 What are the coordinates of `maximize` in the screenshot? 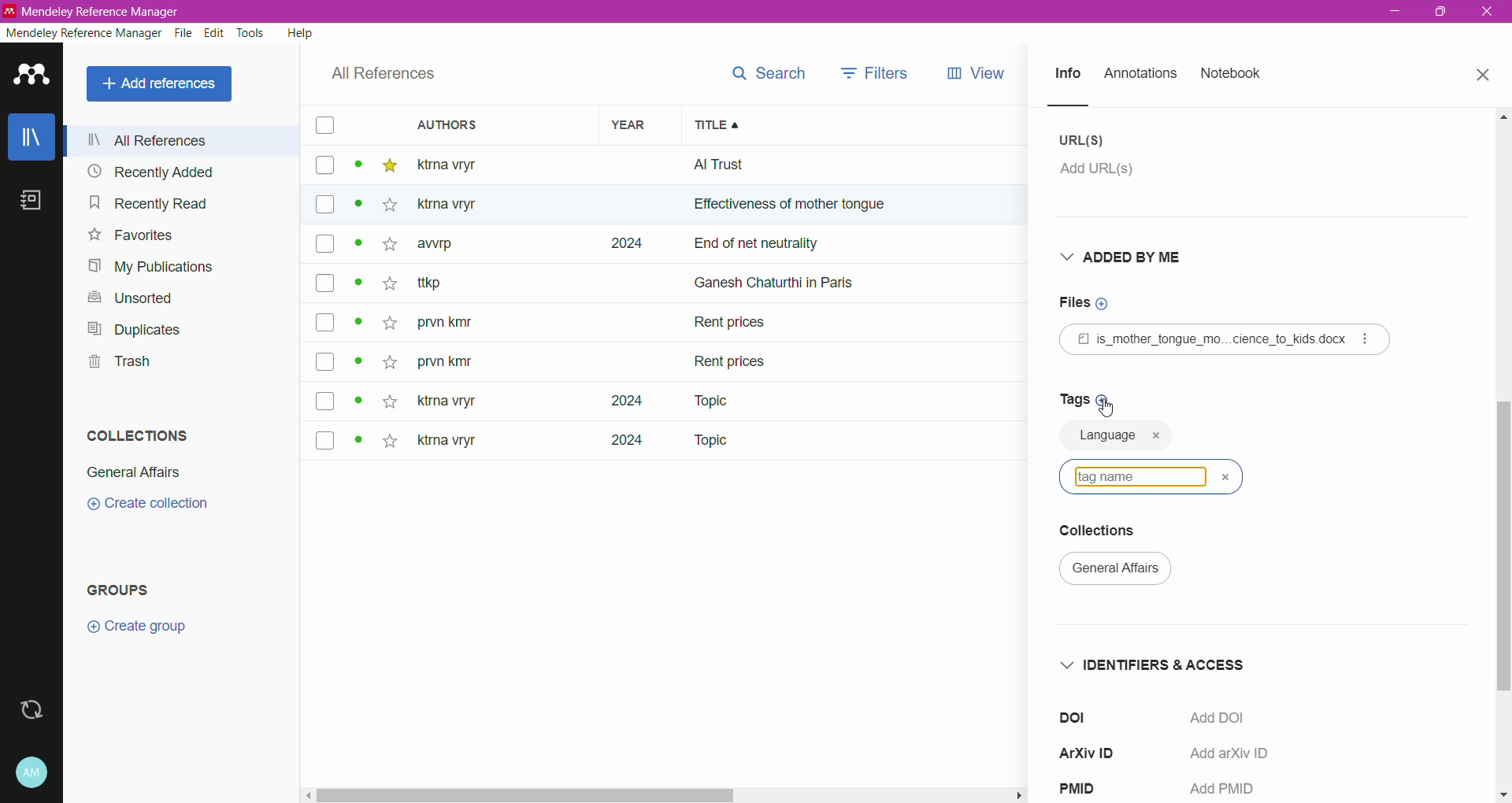 It's located at (1436, 17).